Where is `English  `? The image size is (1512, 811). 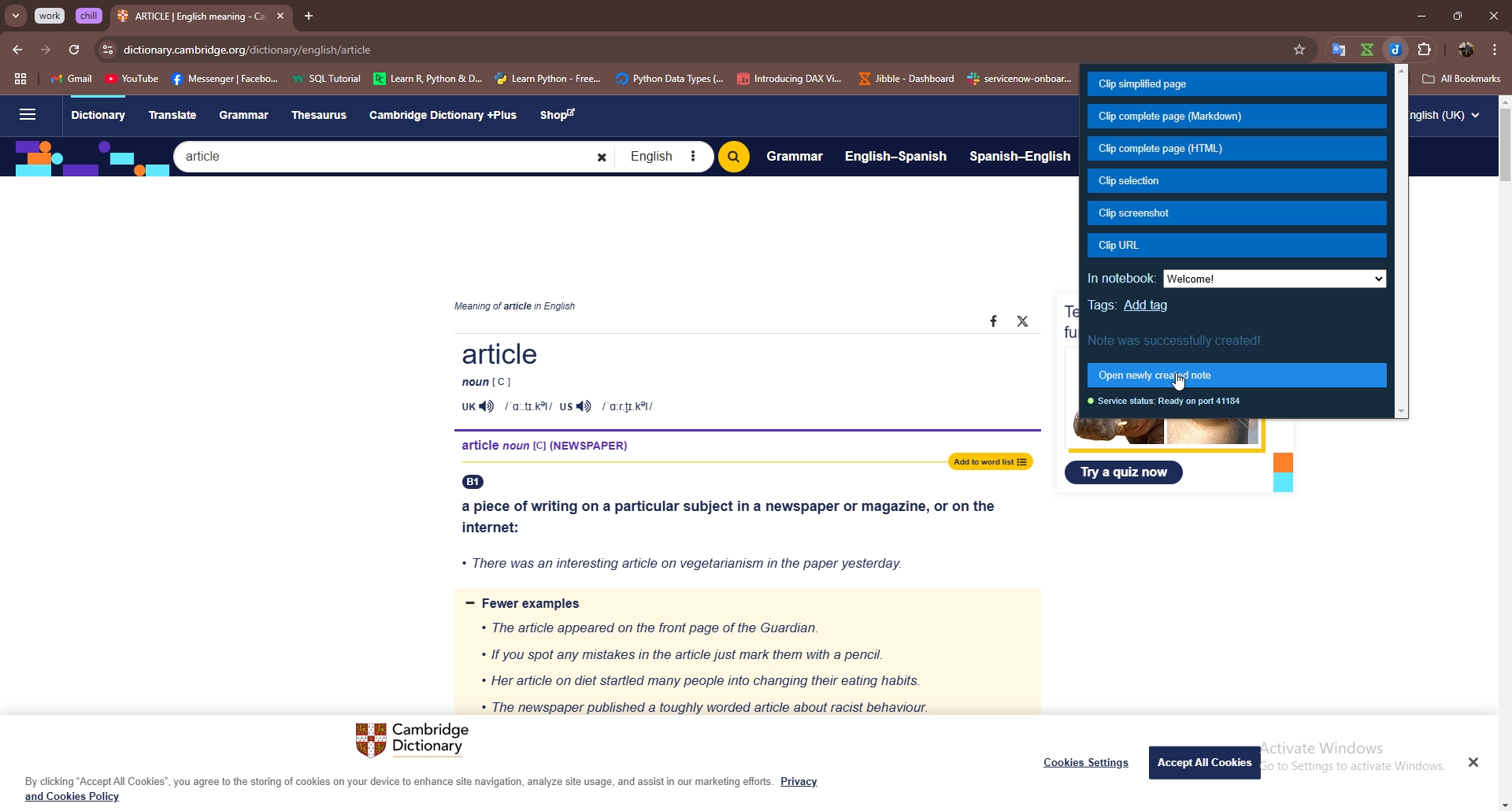 English   is located at coordinates (664, 157).